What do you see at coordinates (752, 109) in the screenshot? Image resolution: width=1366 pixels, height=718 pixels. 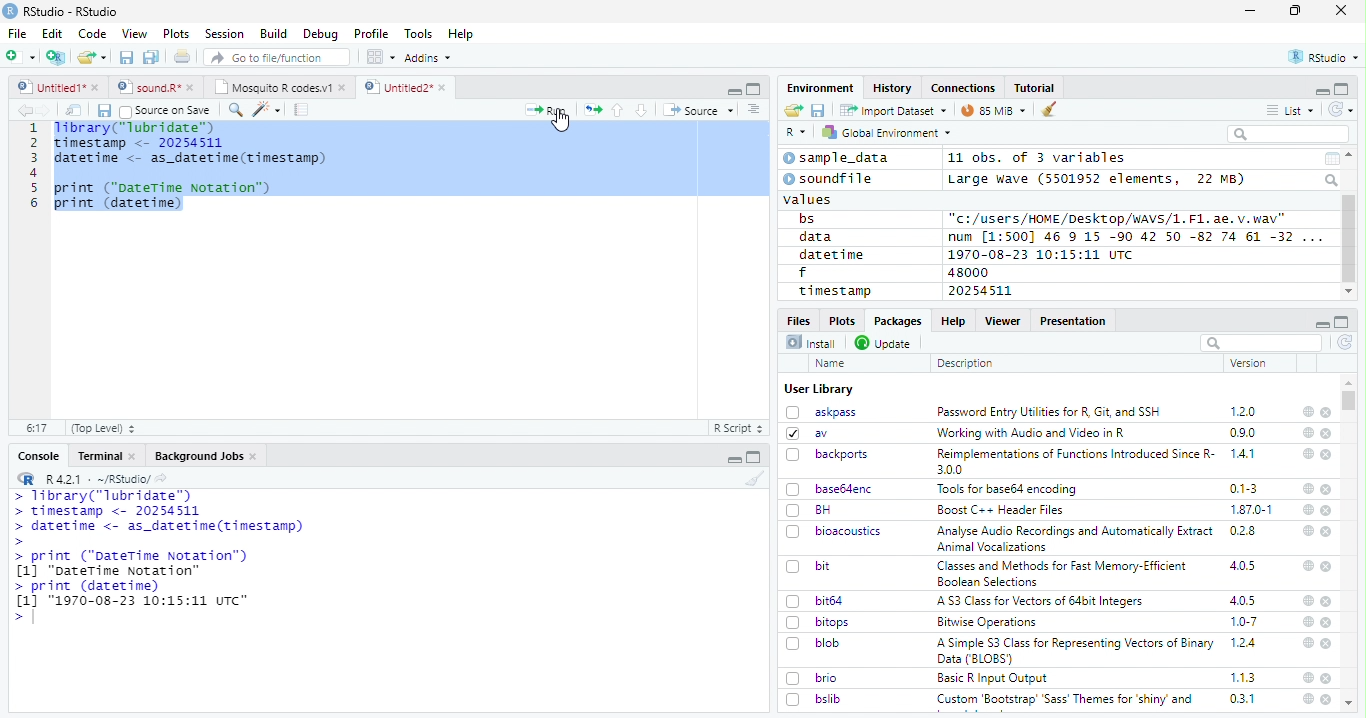 I see `Show document outline` at bounding box center [752, 109].